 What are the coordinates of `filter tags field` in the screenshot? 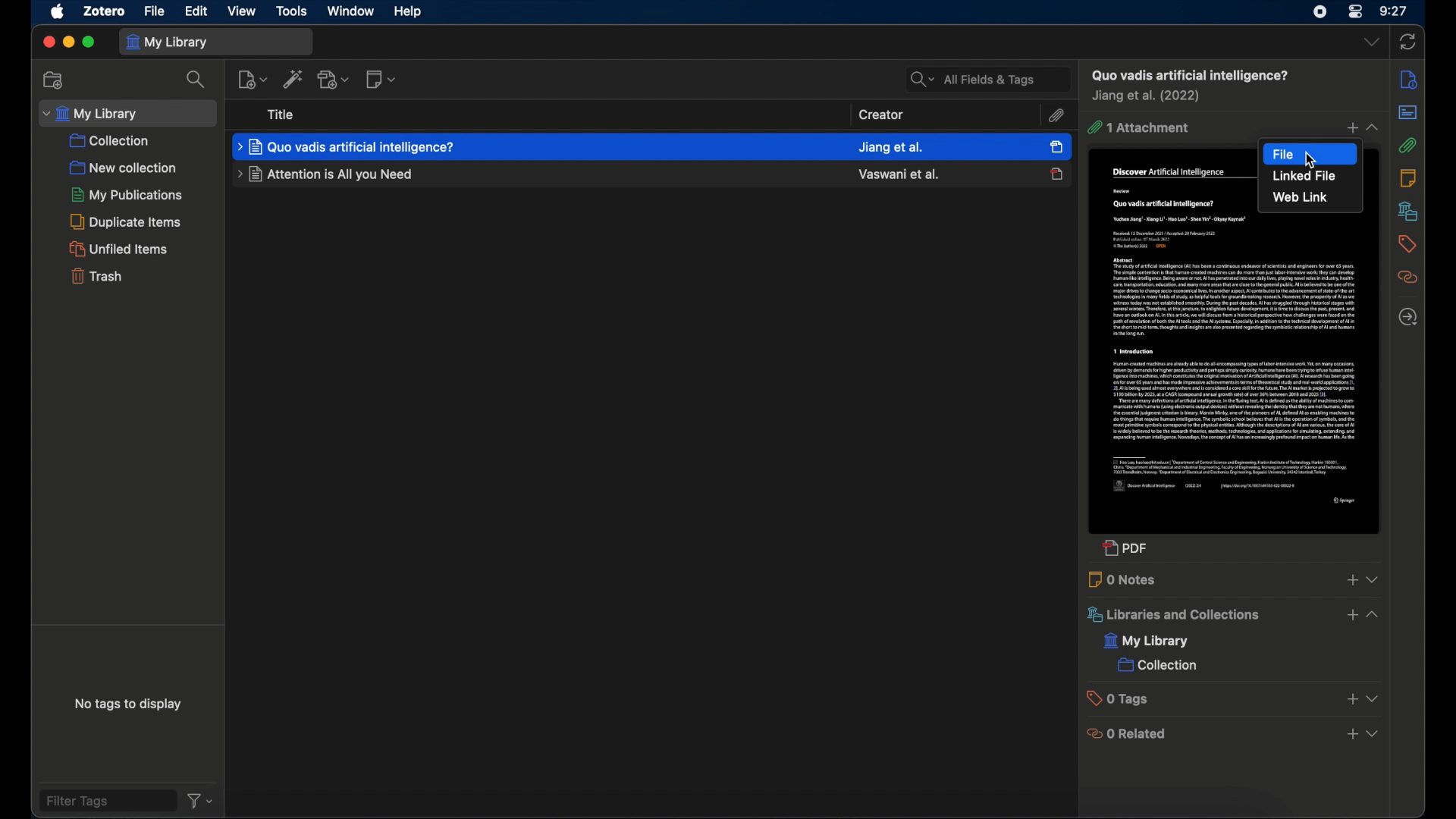 It's located at (106, 800).